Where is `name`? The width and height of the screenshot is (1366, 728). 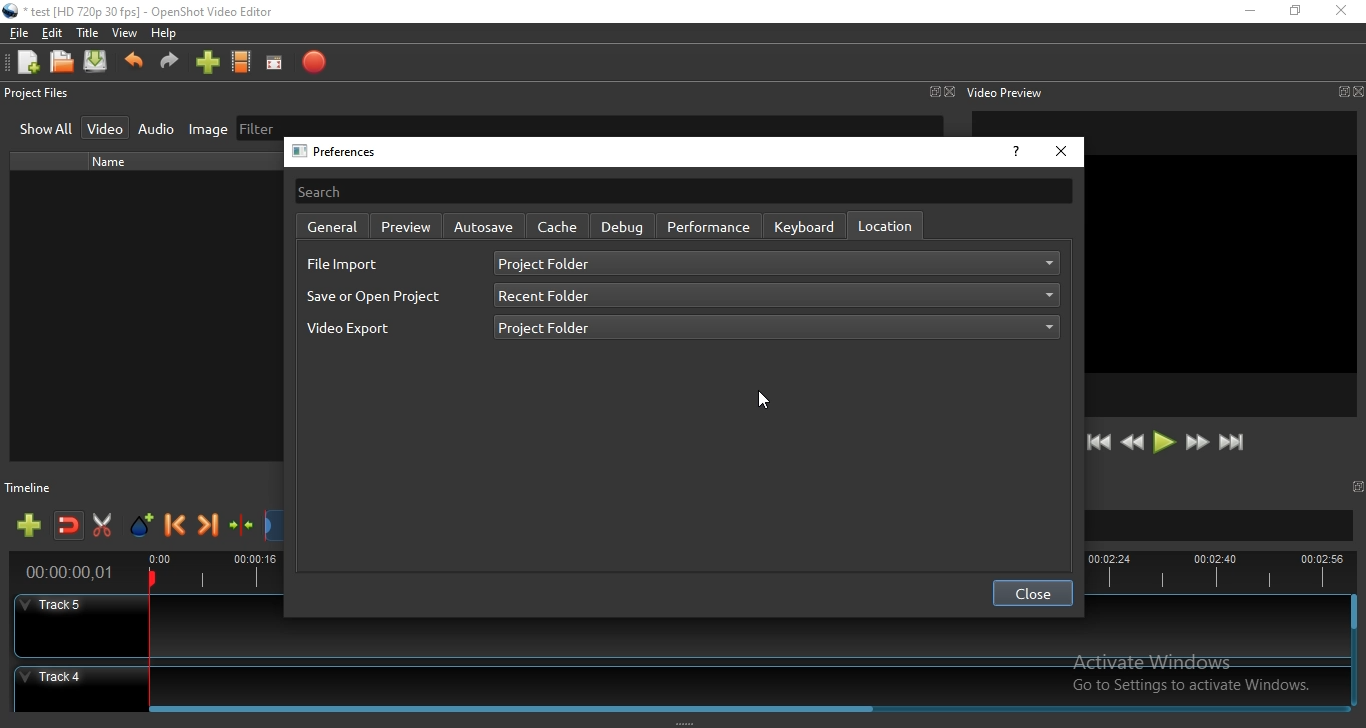
name is located at coordinates (116, 162).